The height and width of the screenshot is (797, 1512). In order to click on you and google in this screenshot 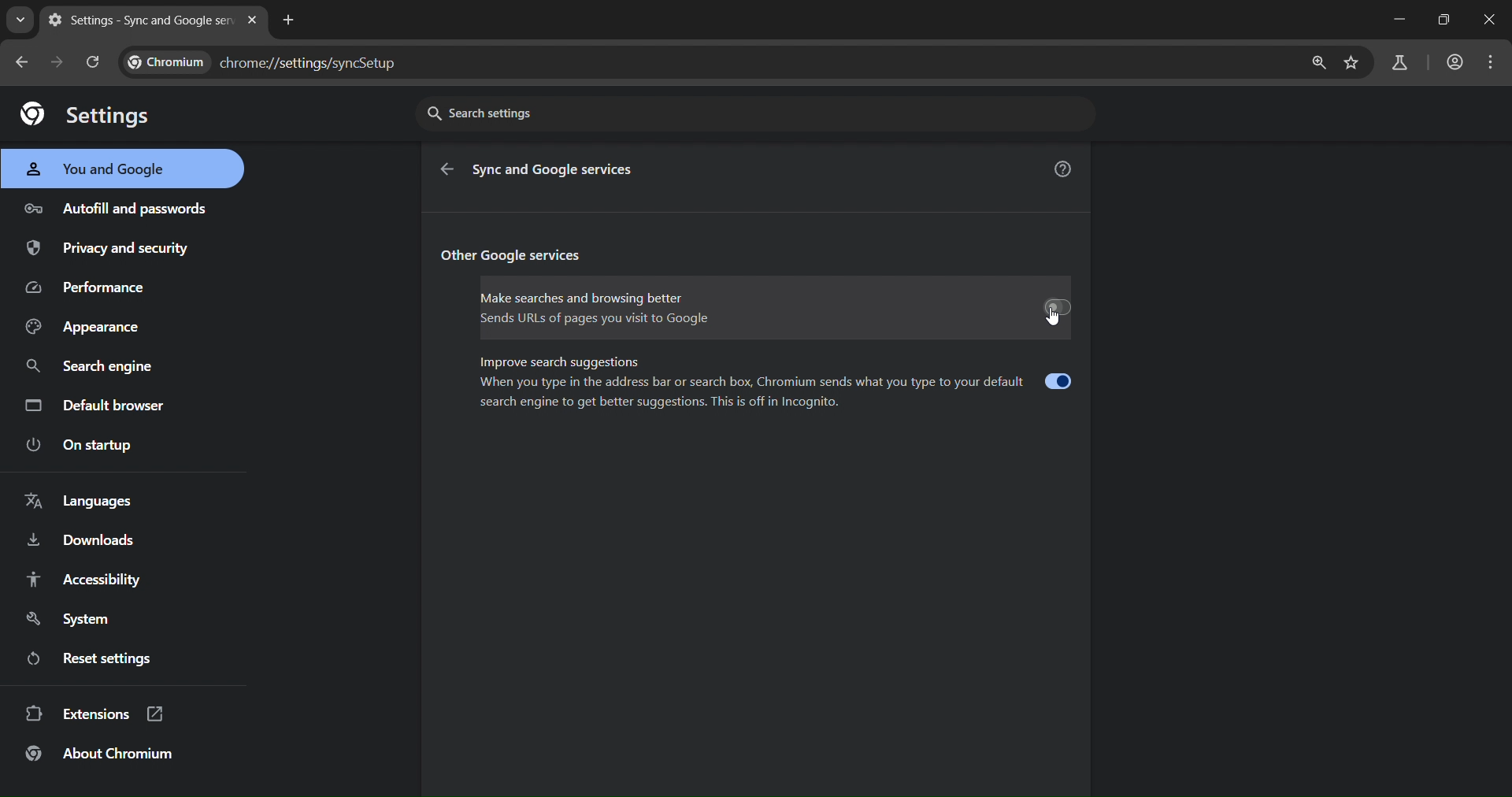, I will do `click(105, 169)`.